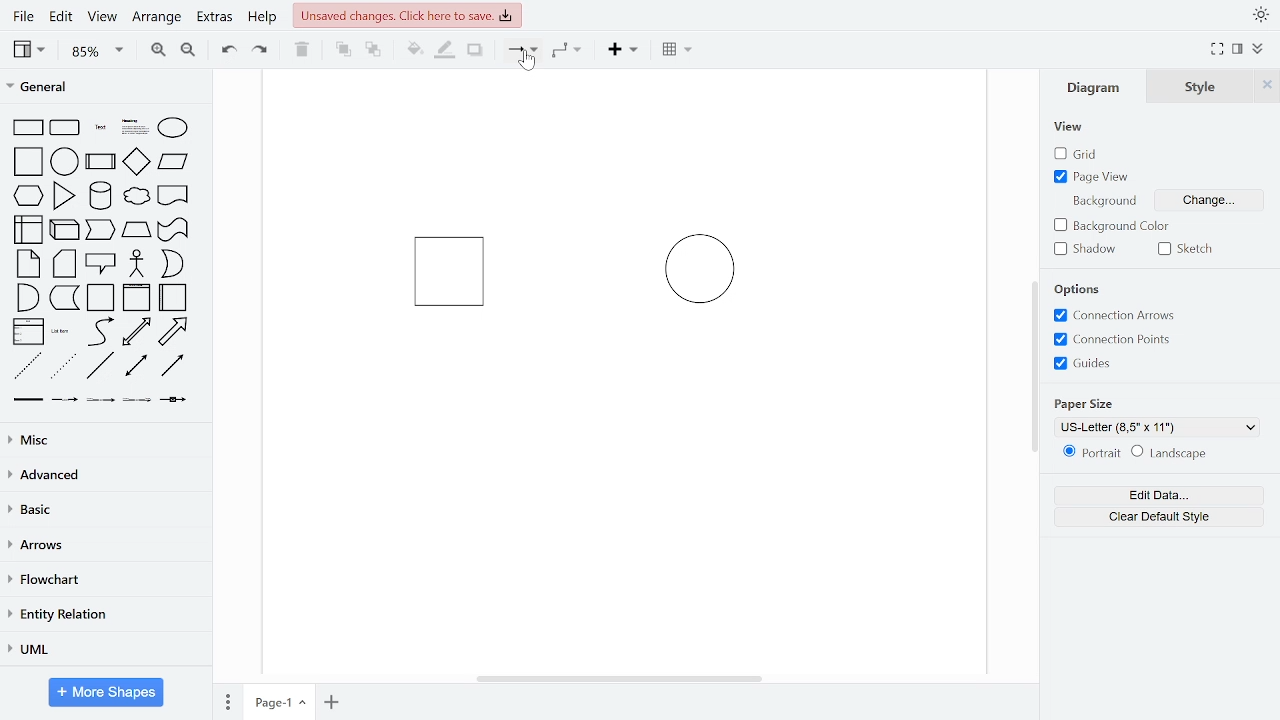 Image resolution: width=1280 pixels, height=720 pixels. I want to click on entity relation, so click(102, 616).